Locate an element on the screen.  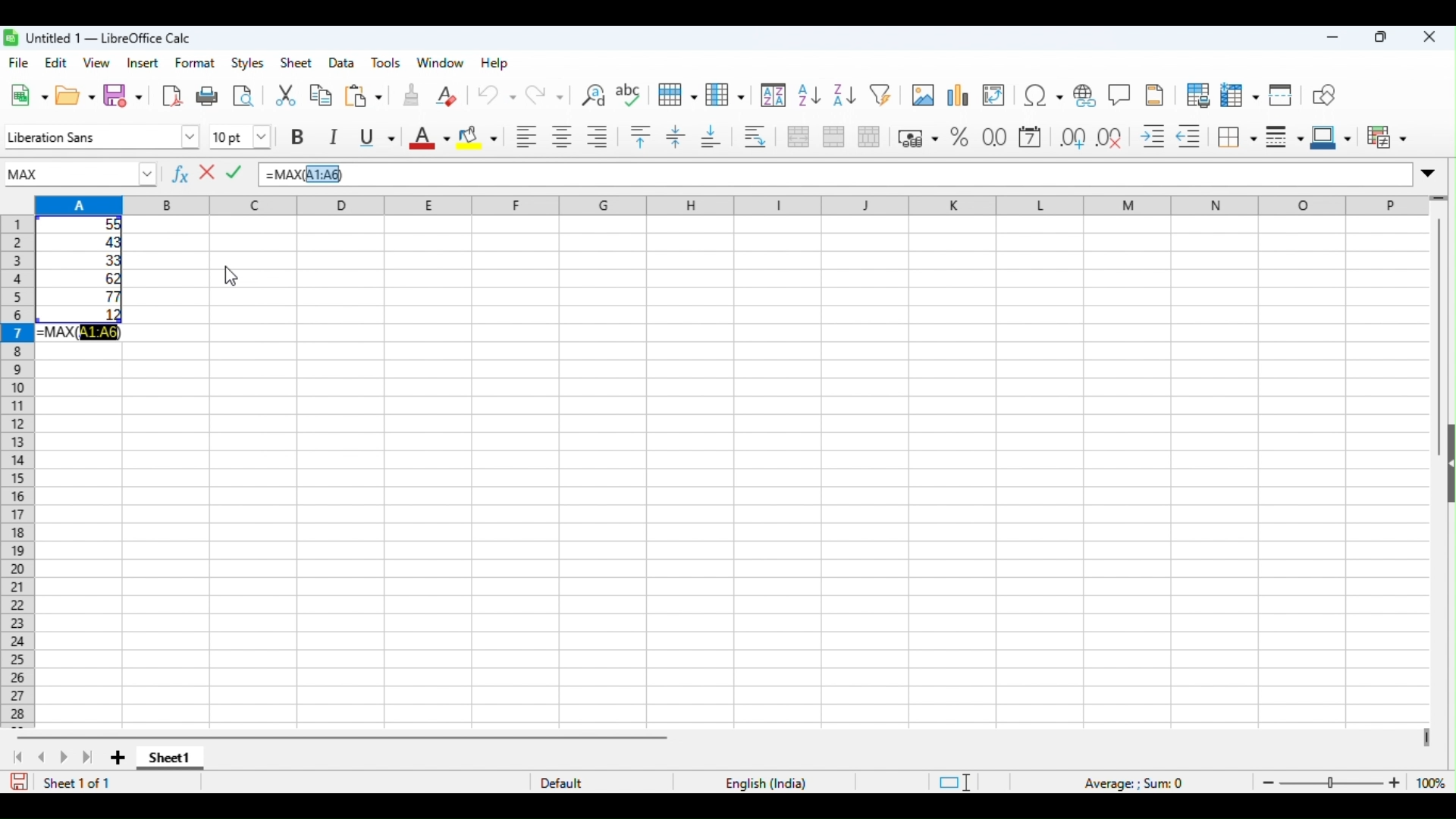
first sheet is located at coordinates (17, 758).